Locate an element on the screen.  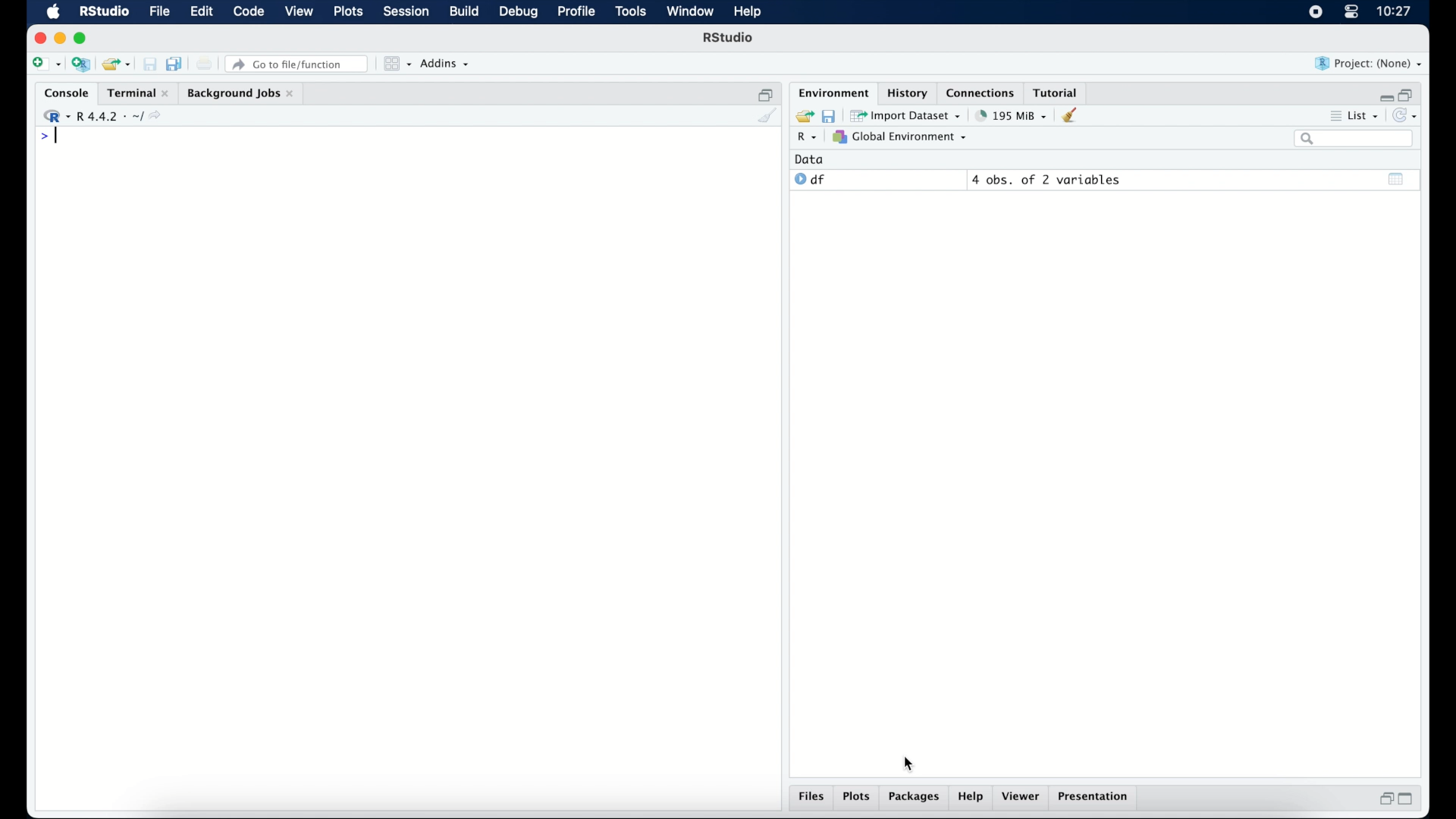
search bar is located at coordinates (1353, 140).